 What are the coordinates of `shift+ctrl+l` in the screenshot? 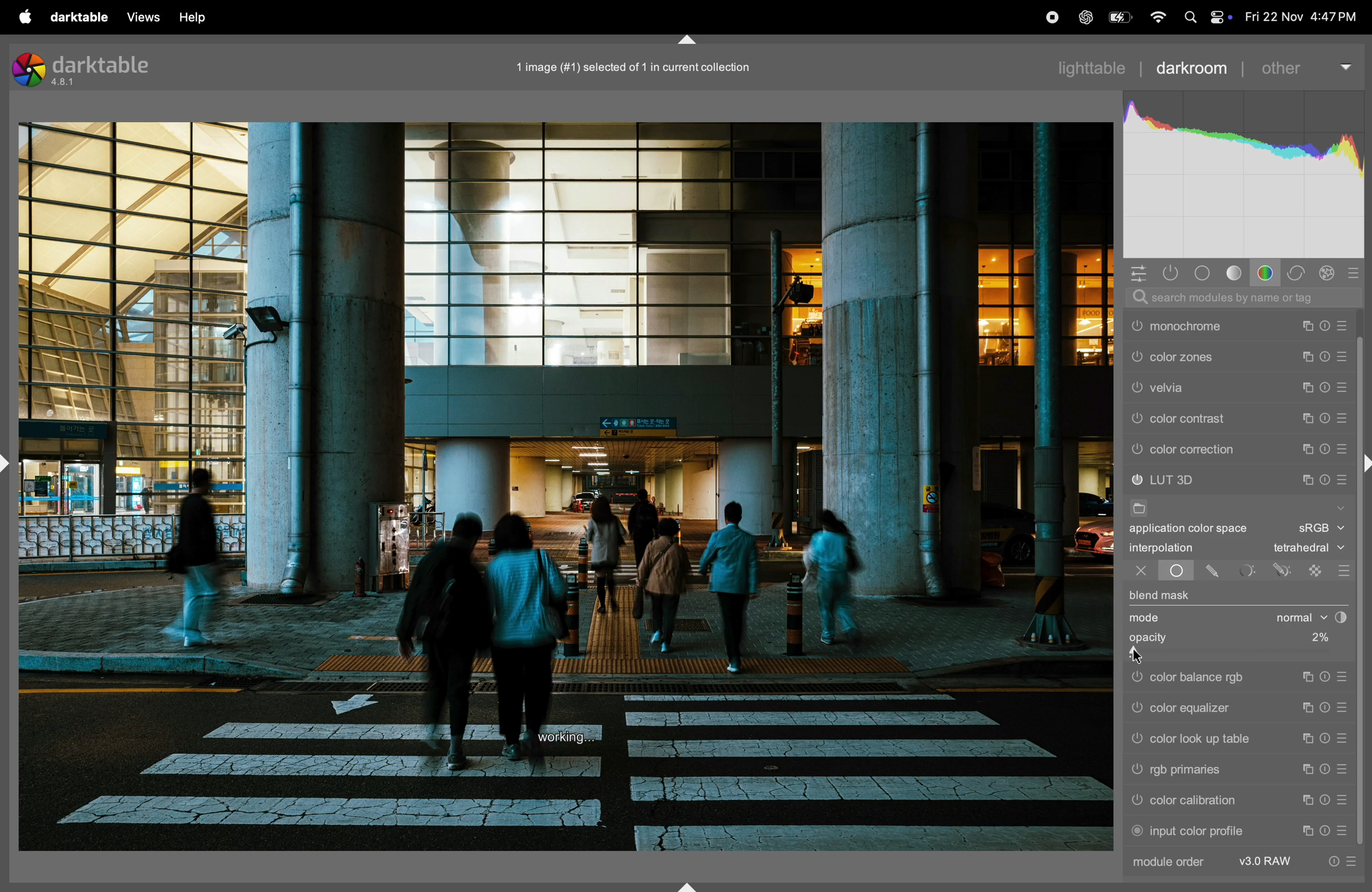 It's located at (9, 462).